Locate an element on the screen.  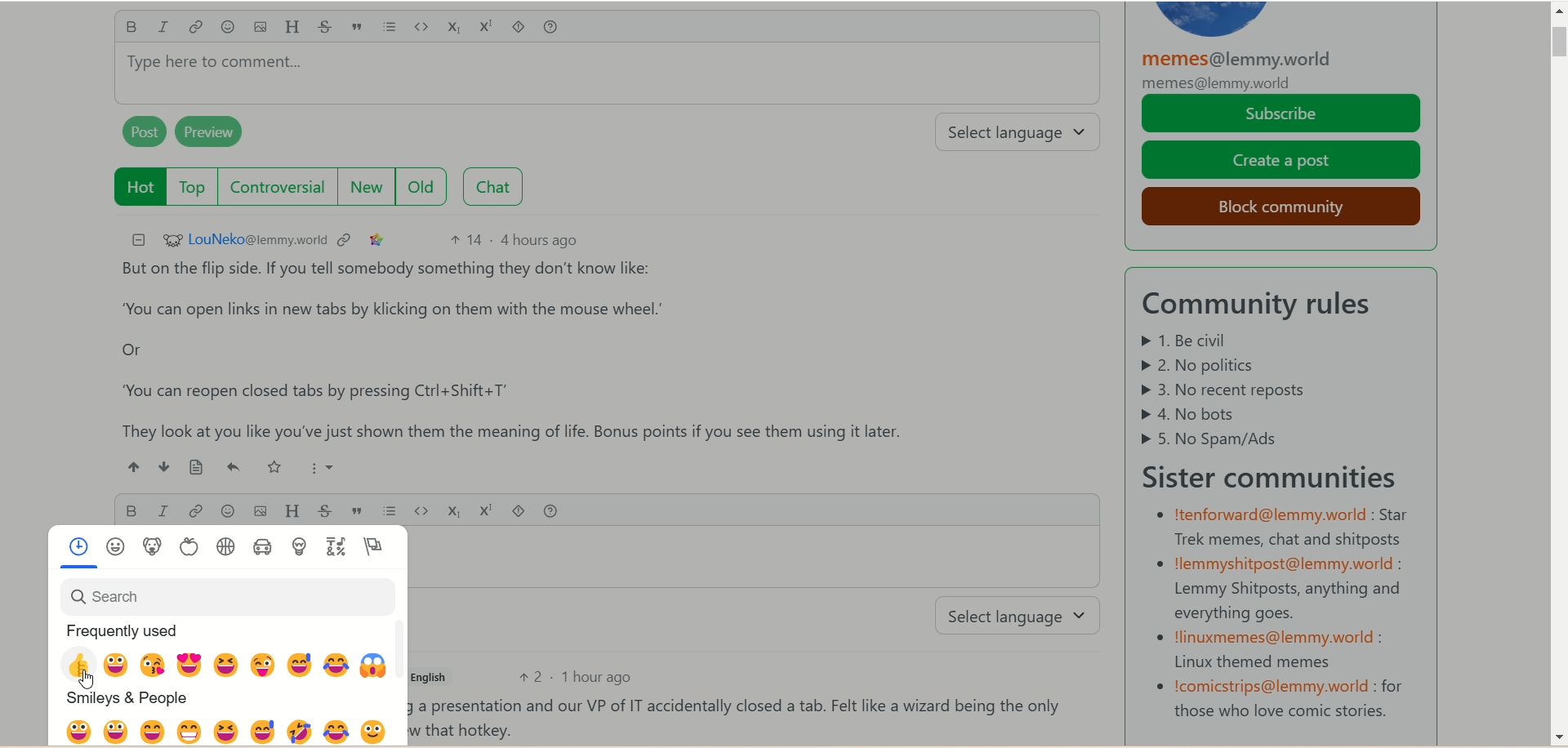
upvote is located at coordinates (134, 466).